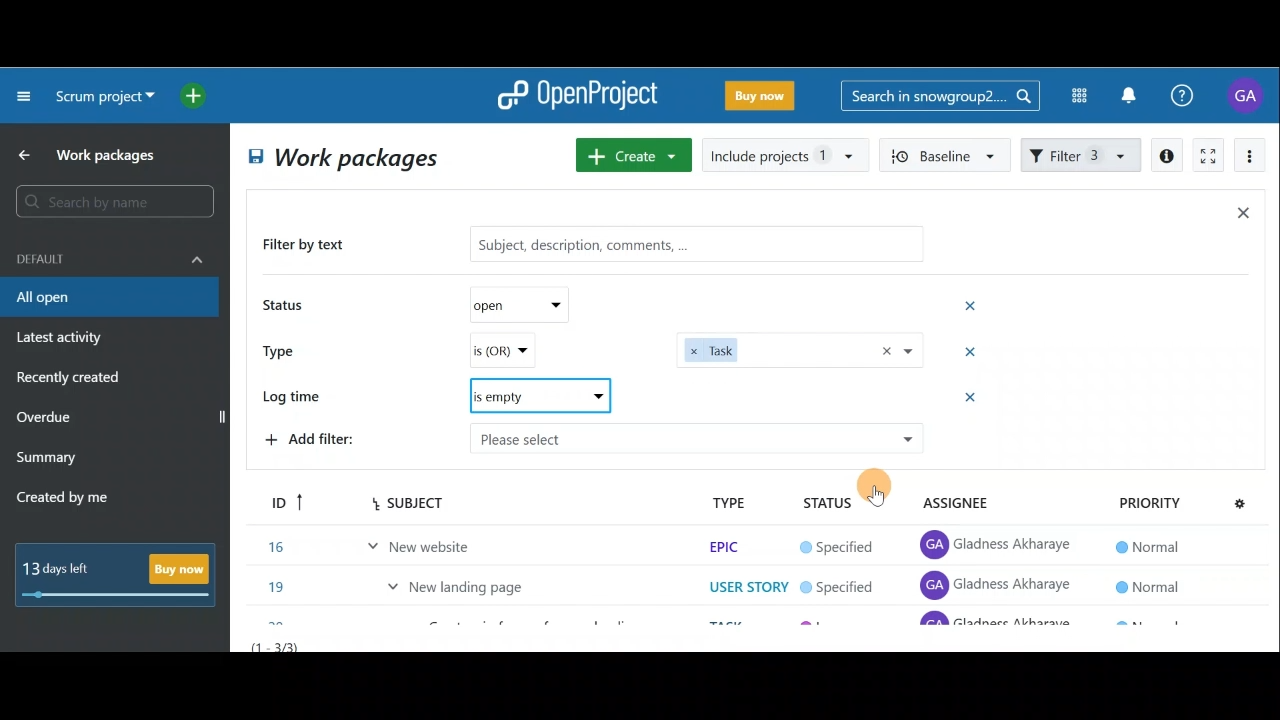 The image size is (1280, 720). I want to click on All open, so click(108, 298).